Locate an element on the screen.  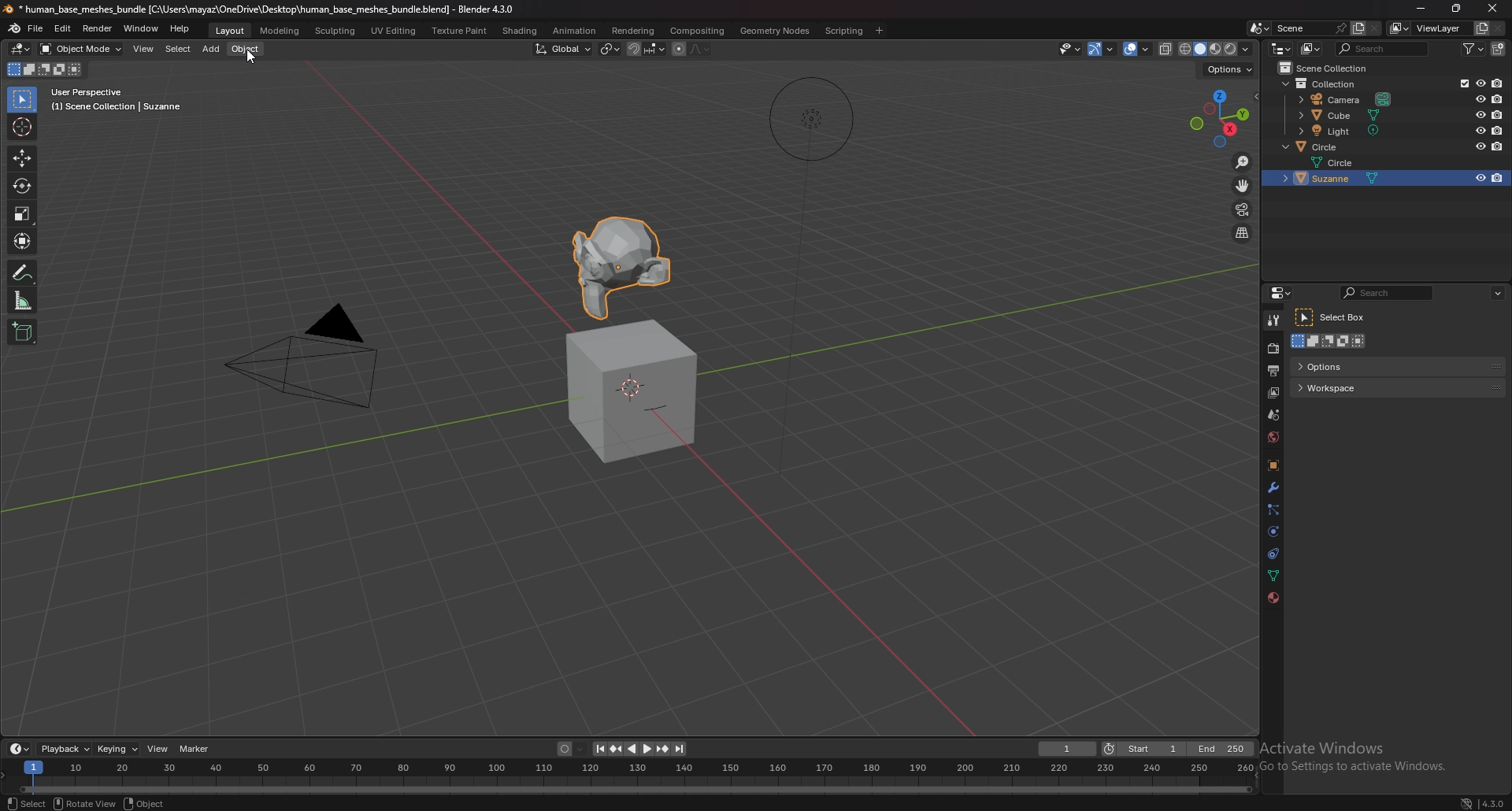
view layer is located at coordinates (1273, 394).